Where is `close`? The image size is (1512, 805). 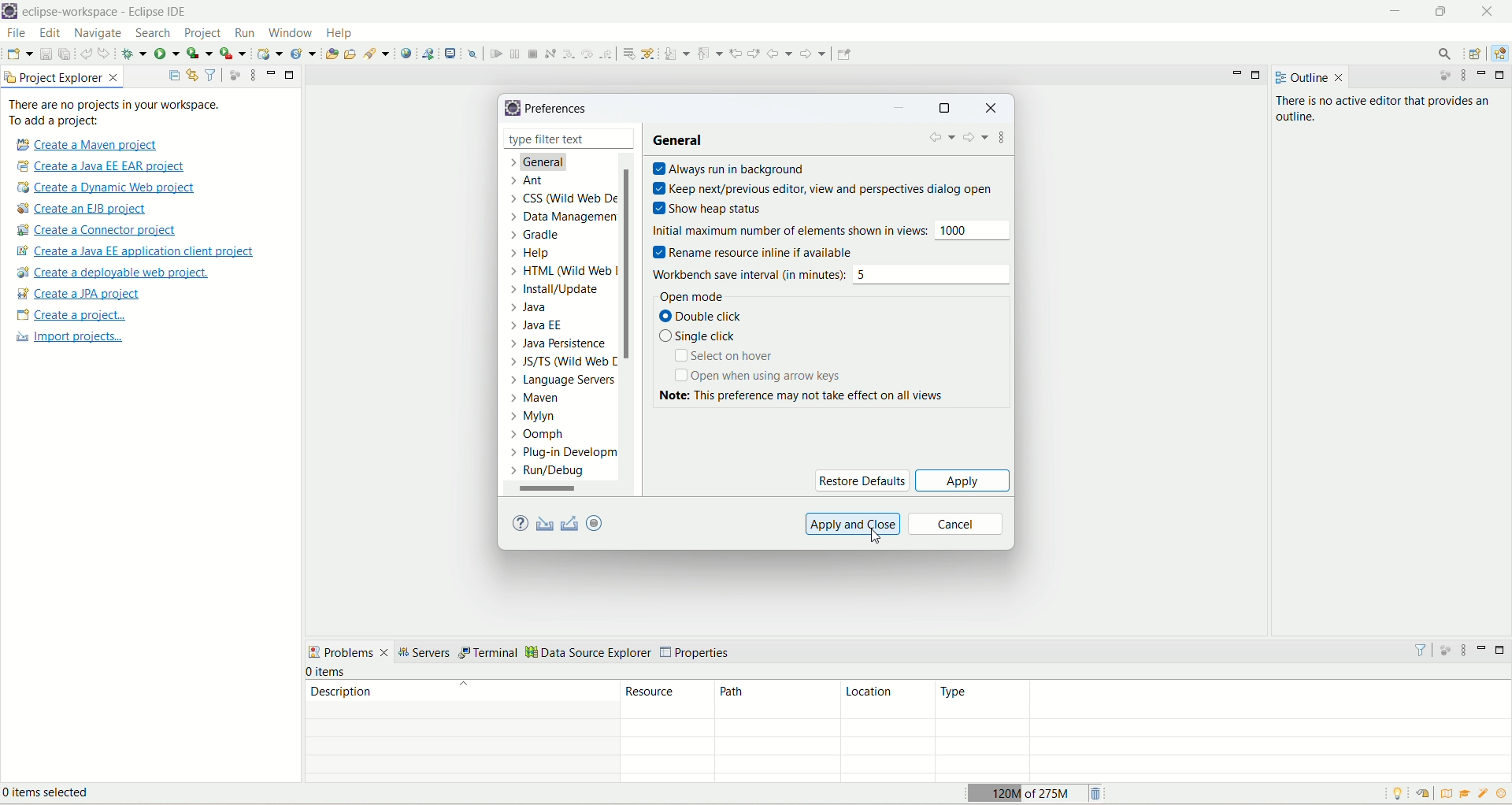
close is located at coordinates (1487, 11).